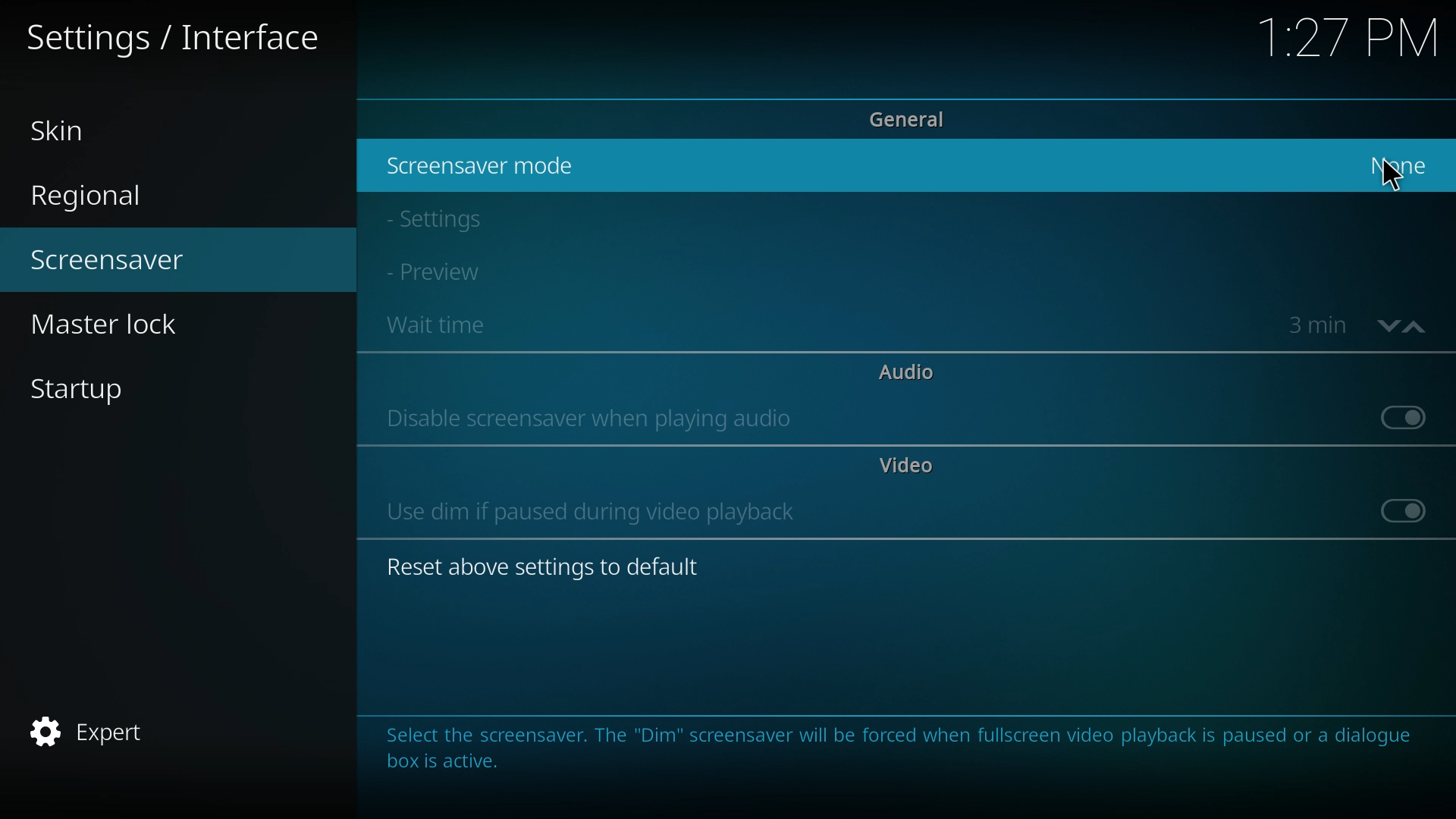 This screenshot has height=819, width=1456. Describe the element at coordinates (1348, 49) in the screenshot. I see `time` at that location.